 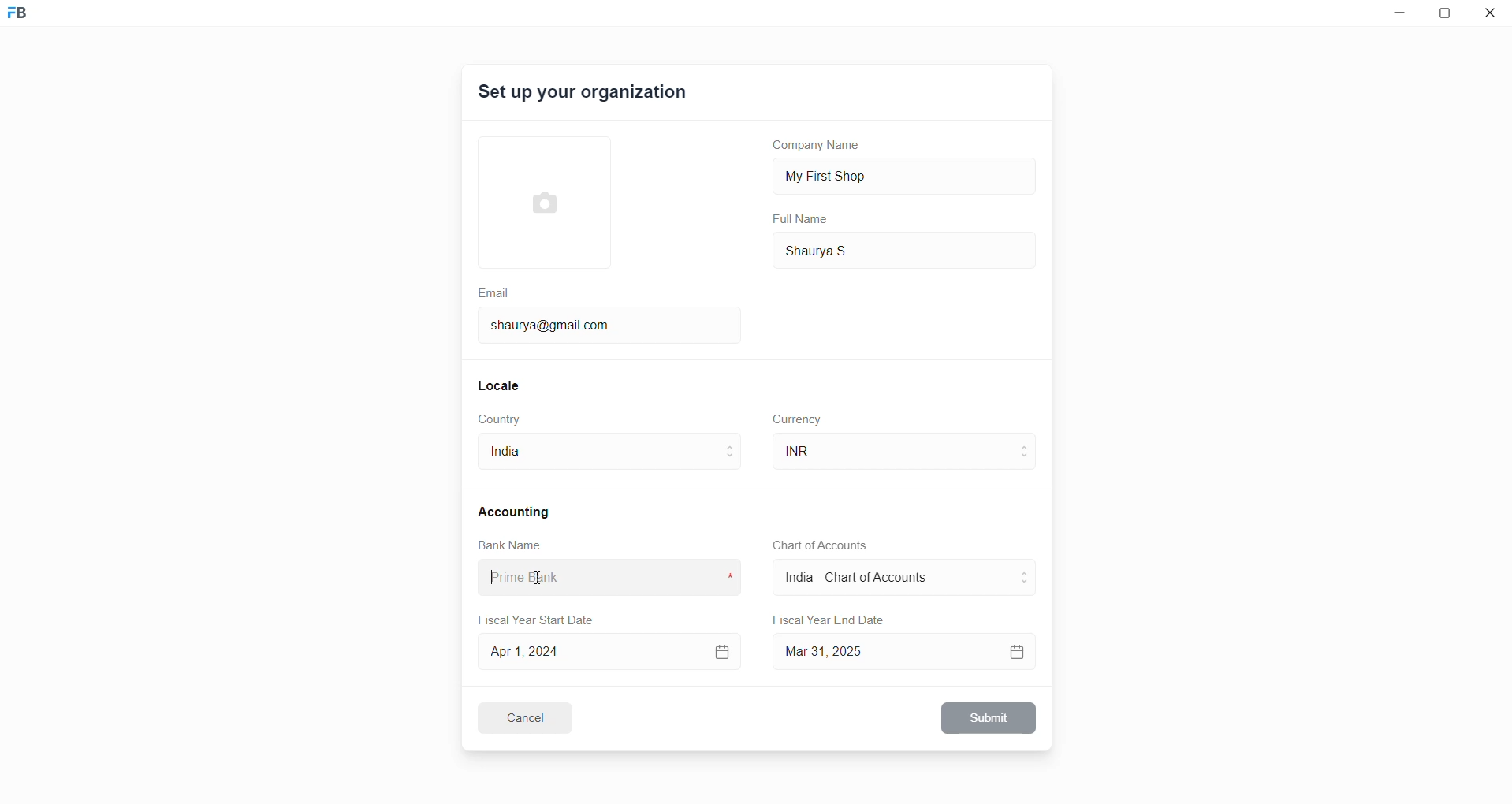 I want to click on Cancel , so click(x=535, y=717).